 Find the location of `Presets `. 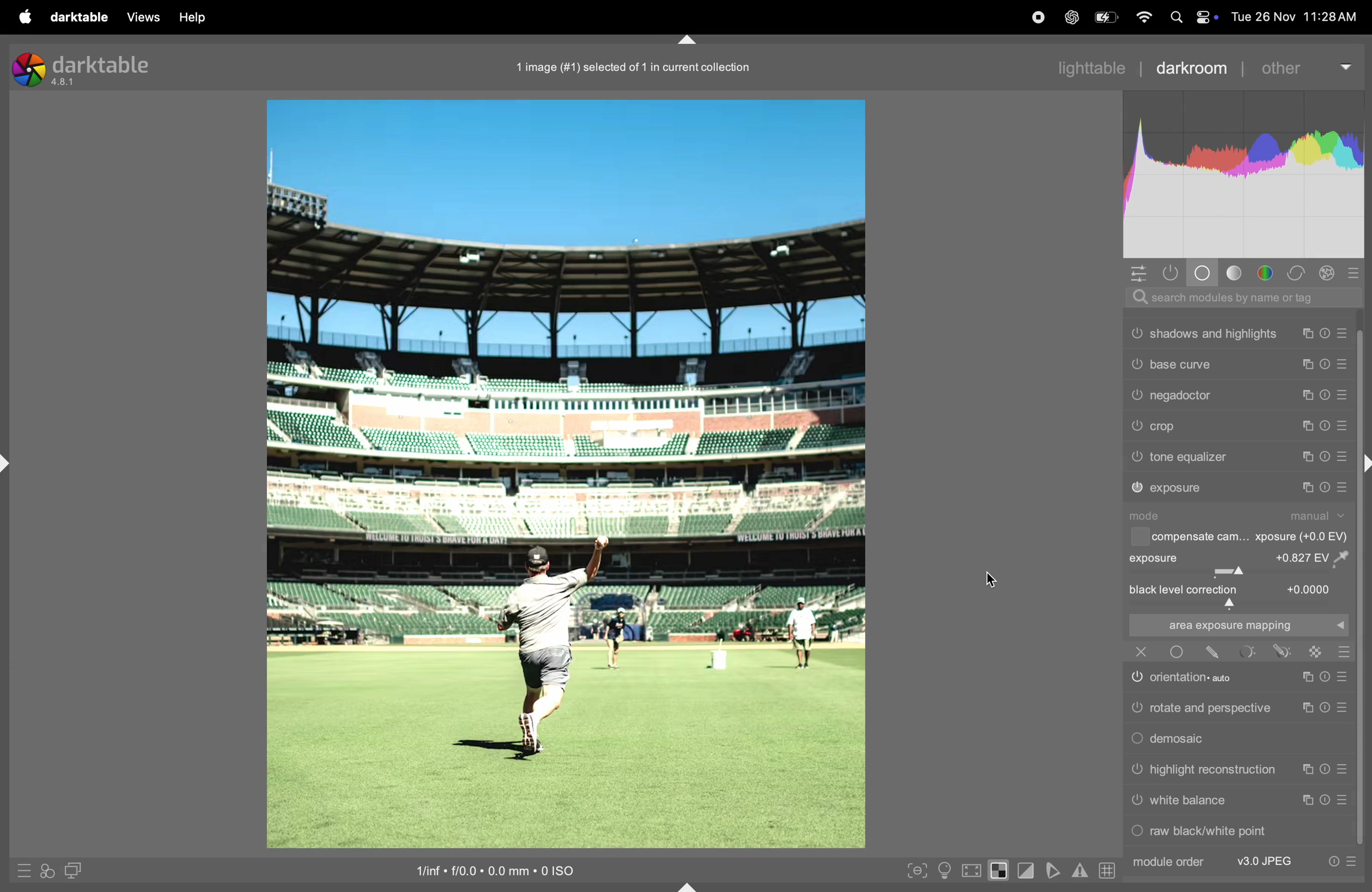

Presets  is located at coordinates (1344, 334).